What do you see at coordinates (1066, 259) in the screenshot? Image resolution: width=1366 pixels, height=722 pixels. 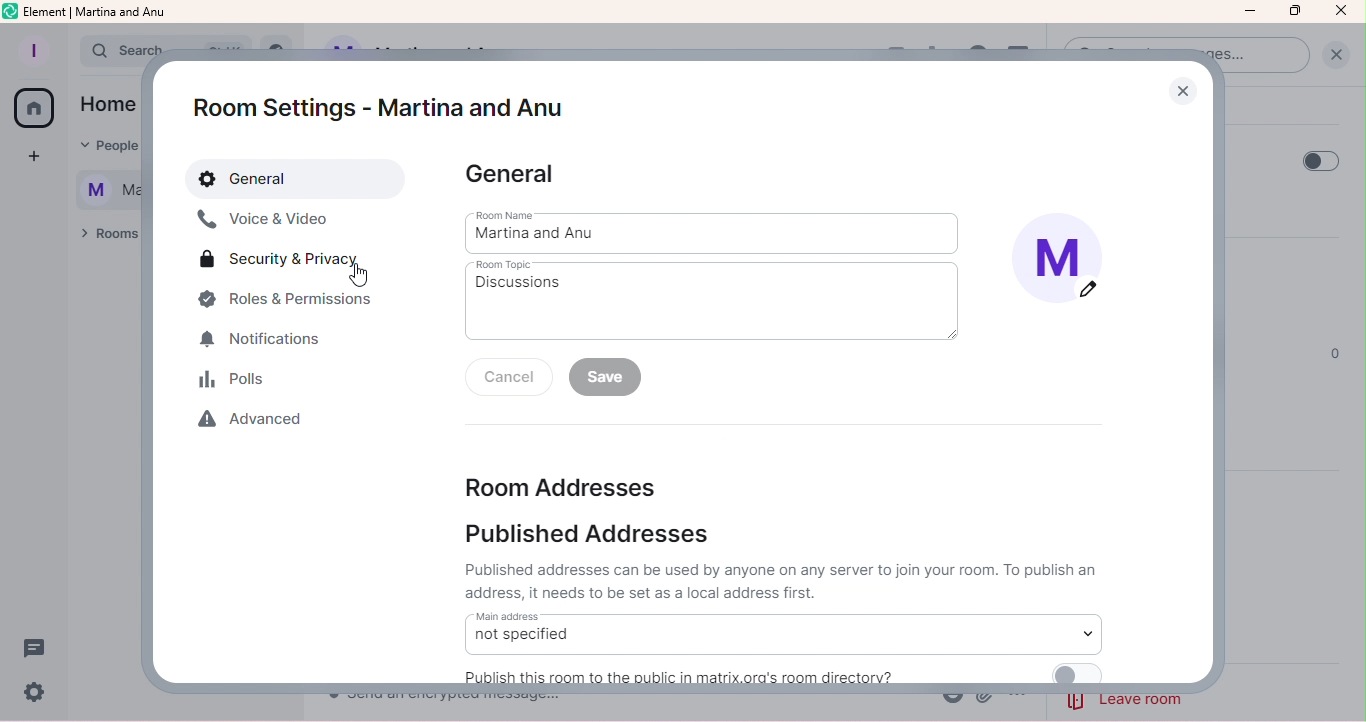 I see `Display picture` at bounding box center [1066, 259].